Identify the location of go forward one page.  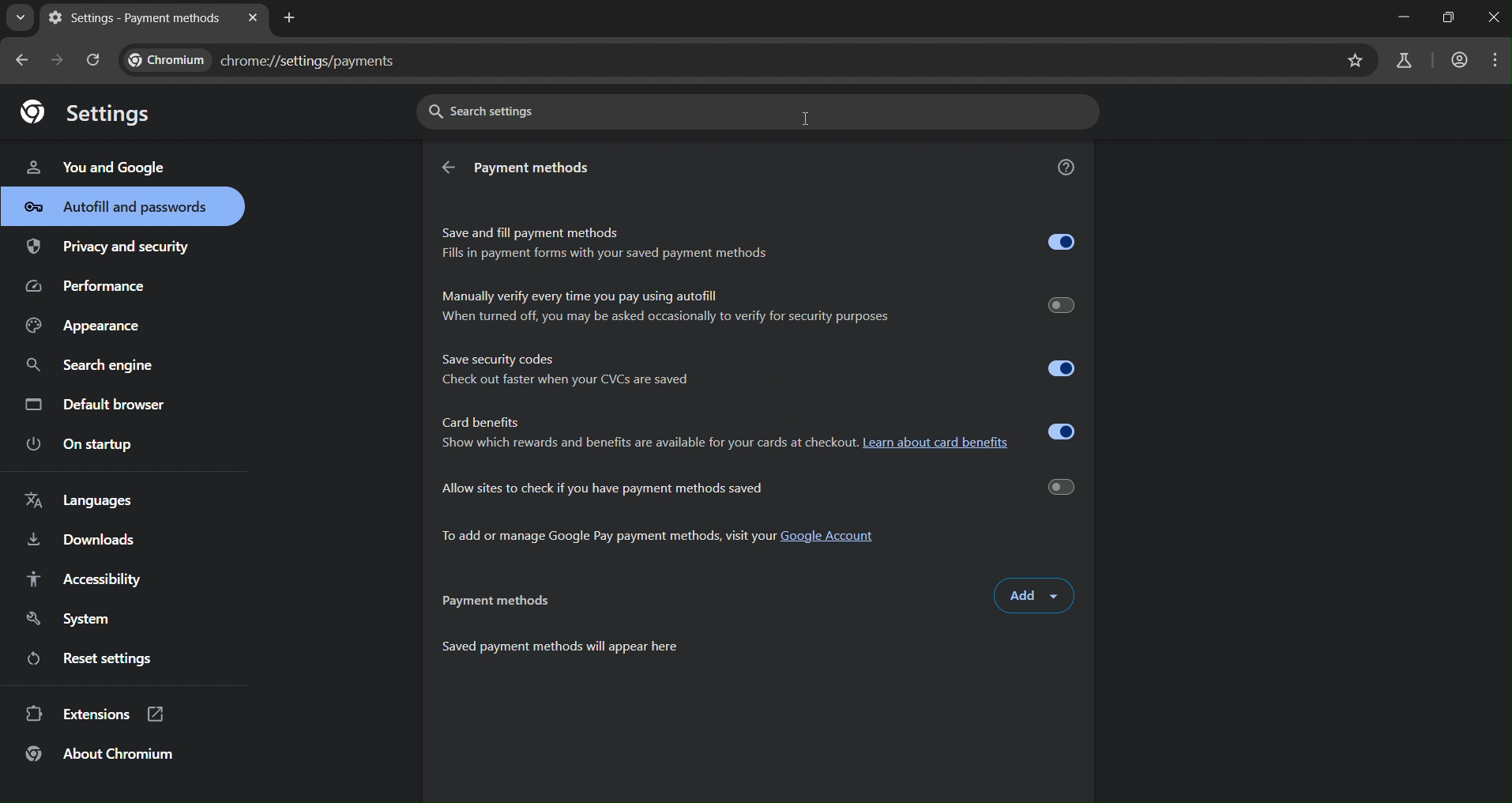
(59, 61).